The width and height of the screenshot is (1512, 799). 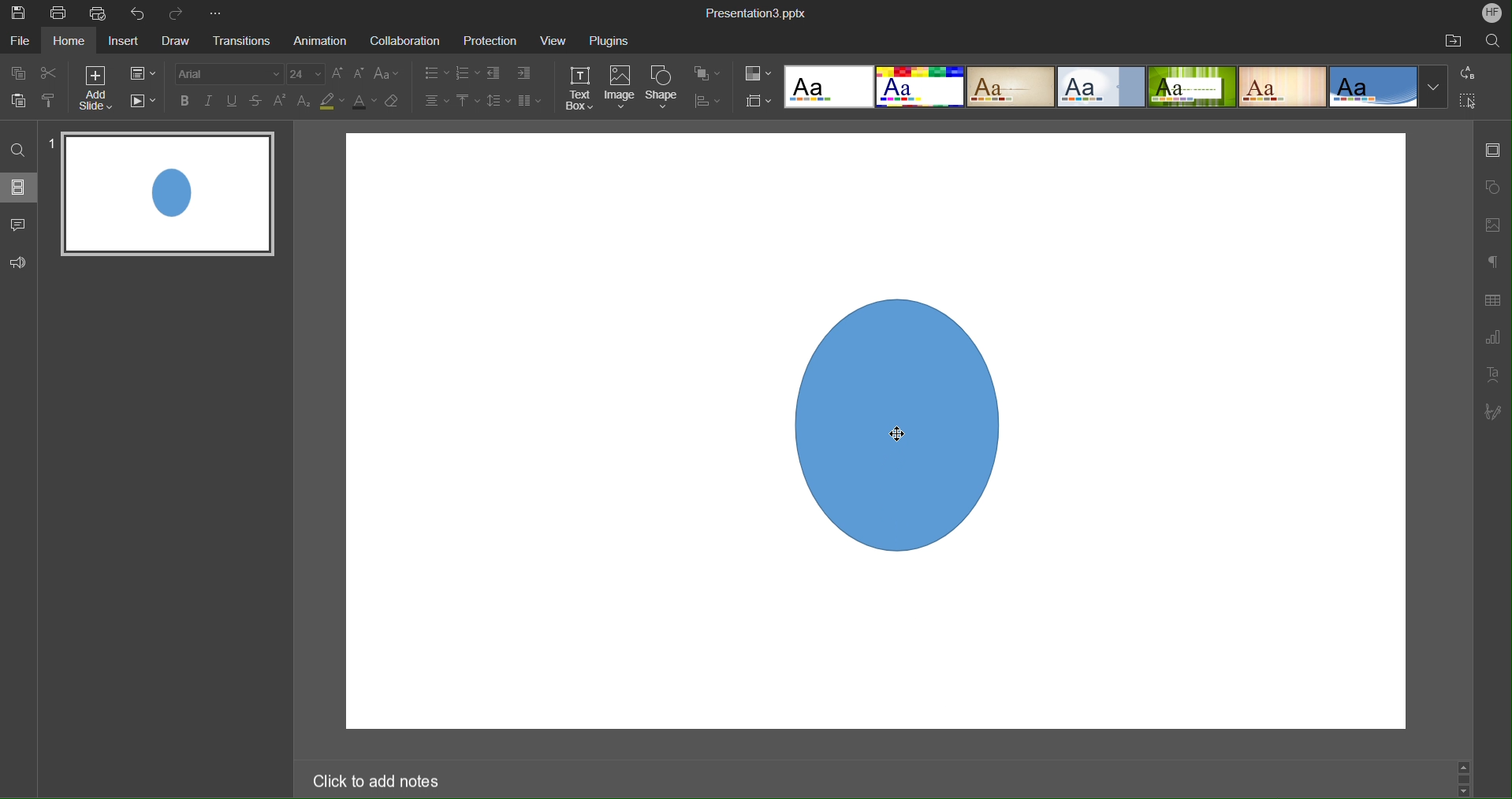 What do you see at coordinates (98, 13) in the screenshot?
I see `Quick Print` at bounding box center [98, 13].